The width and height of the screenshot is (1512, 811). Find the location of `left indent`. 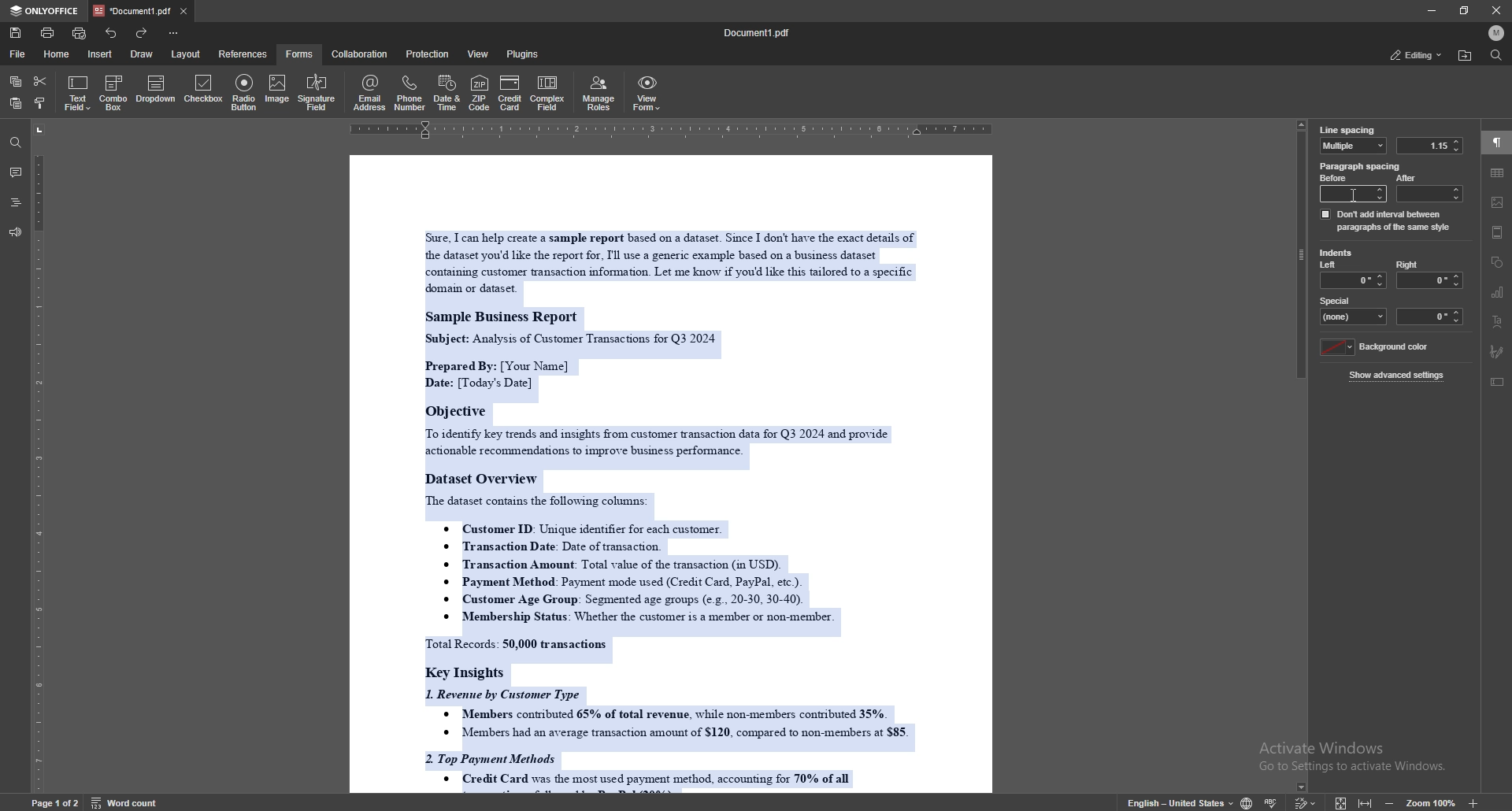

left indent is located at coordinates (1353, 275).